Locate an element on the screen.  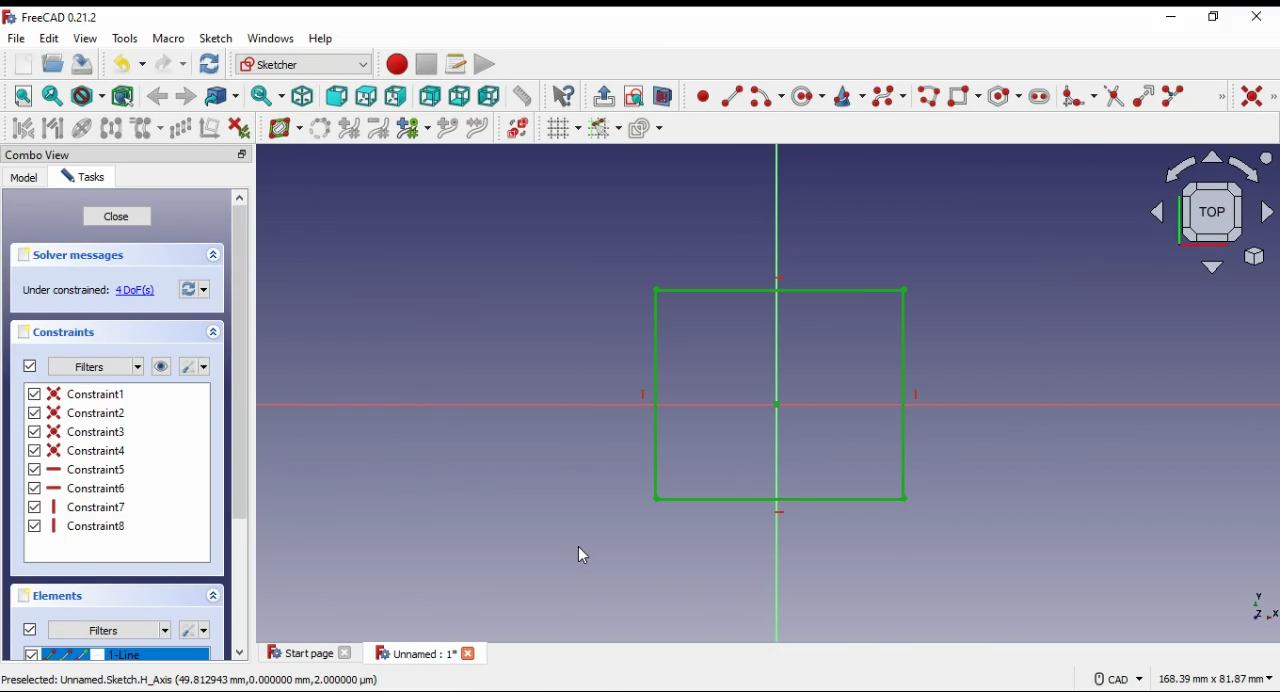
tools is located at coordinates (125, 38).